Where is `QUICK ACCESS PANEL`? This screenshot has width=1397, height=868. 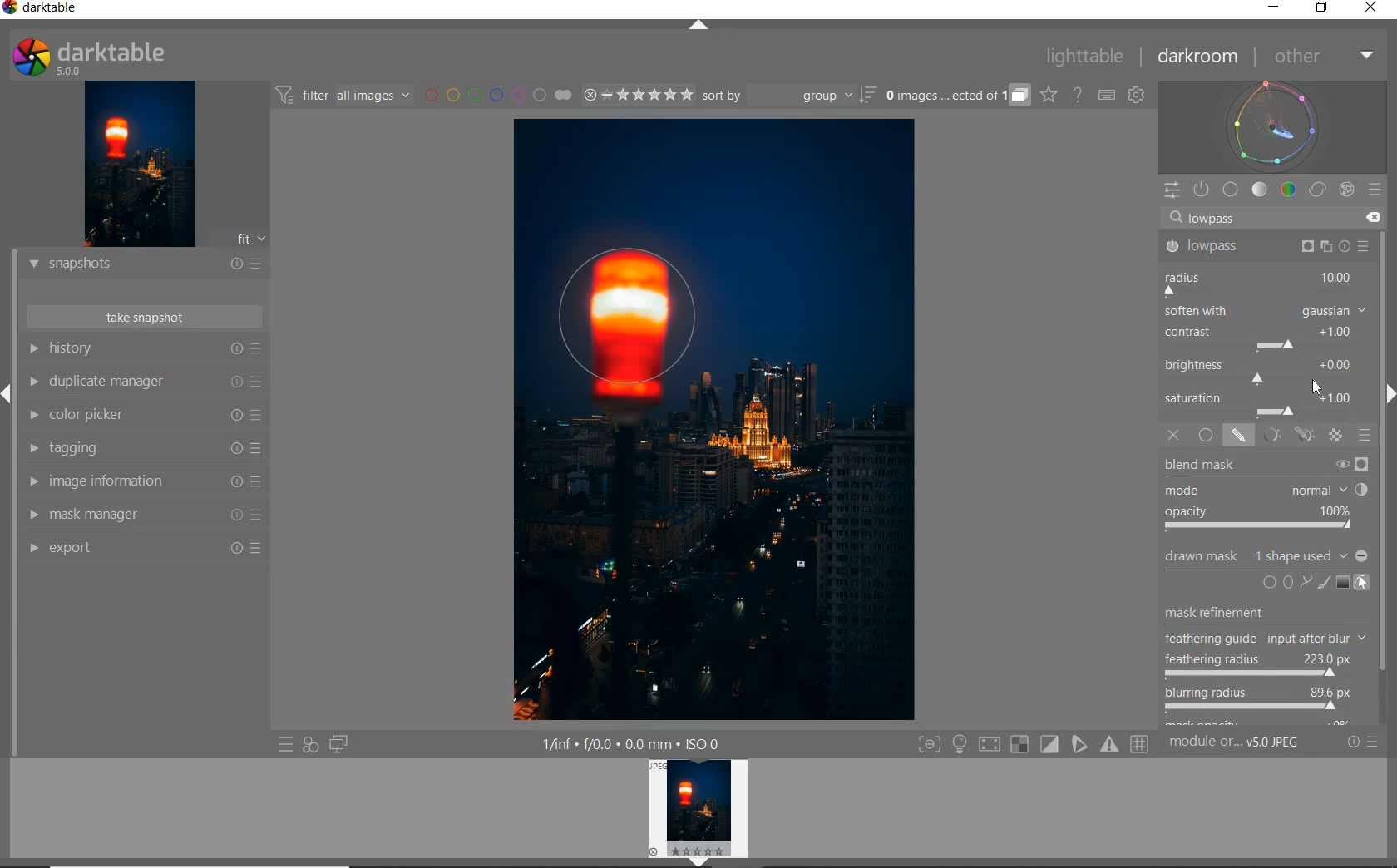 QUICK ACCESS PANEL is located at coordinates (1172, 187).